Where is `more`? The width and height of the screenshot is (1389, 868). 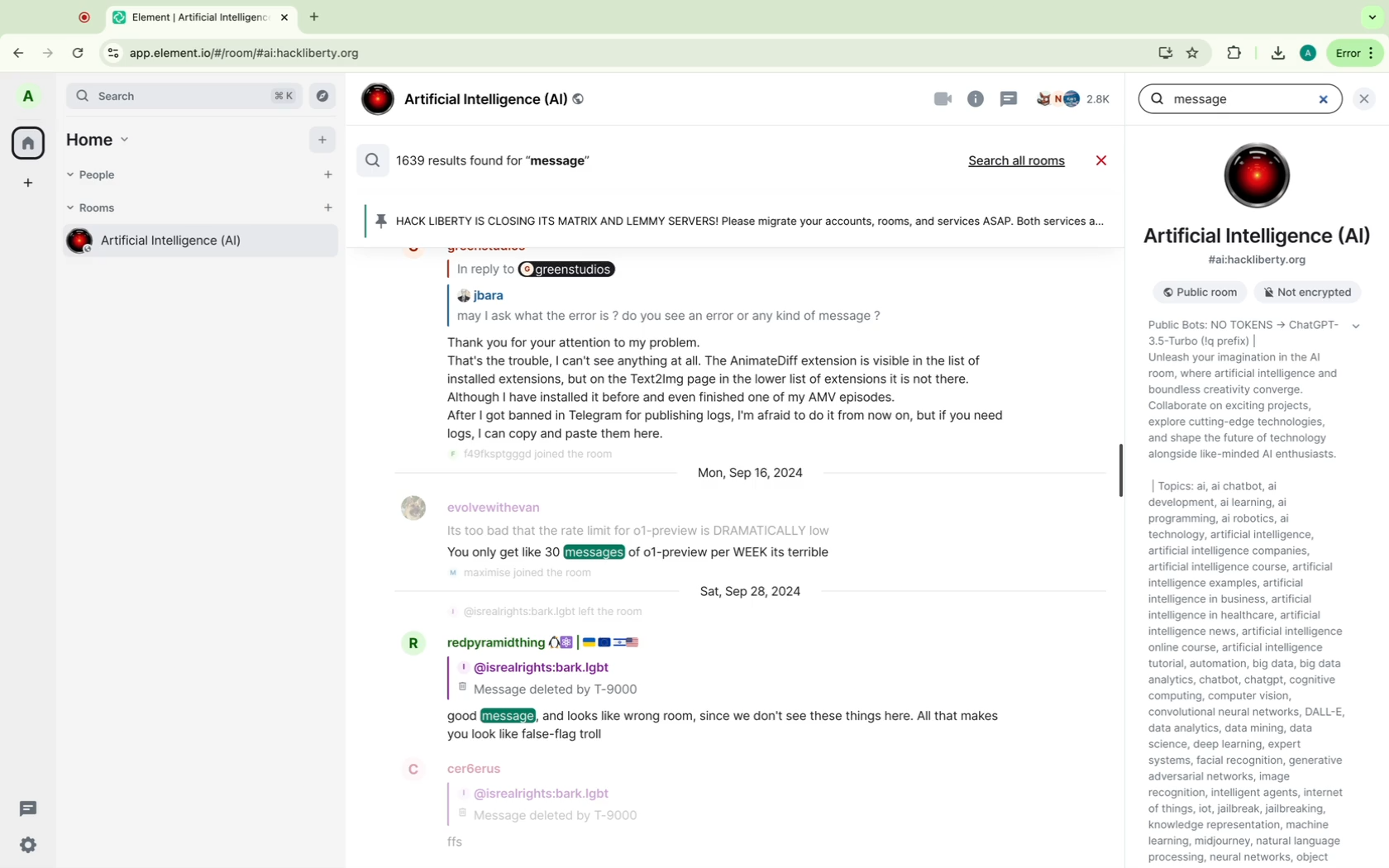
more is located at coordinates (1353, 53).